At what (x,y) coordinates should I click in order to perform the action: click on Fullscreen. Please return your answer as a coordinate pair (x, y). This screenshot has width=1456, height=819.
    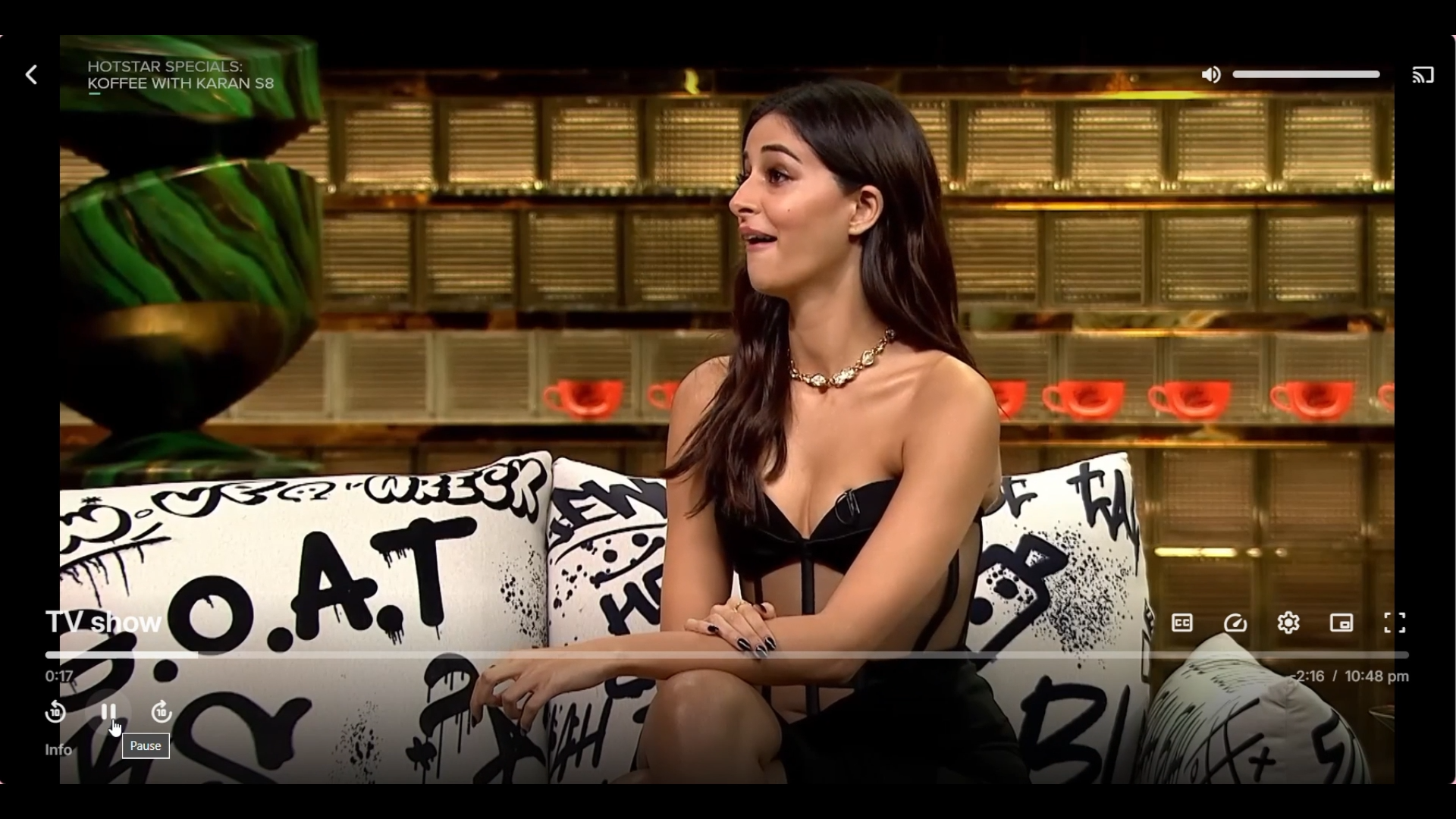
    Looking at the image, I should click on (1394, 623).